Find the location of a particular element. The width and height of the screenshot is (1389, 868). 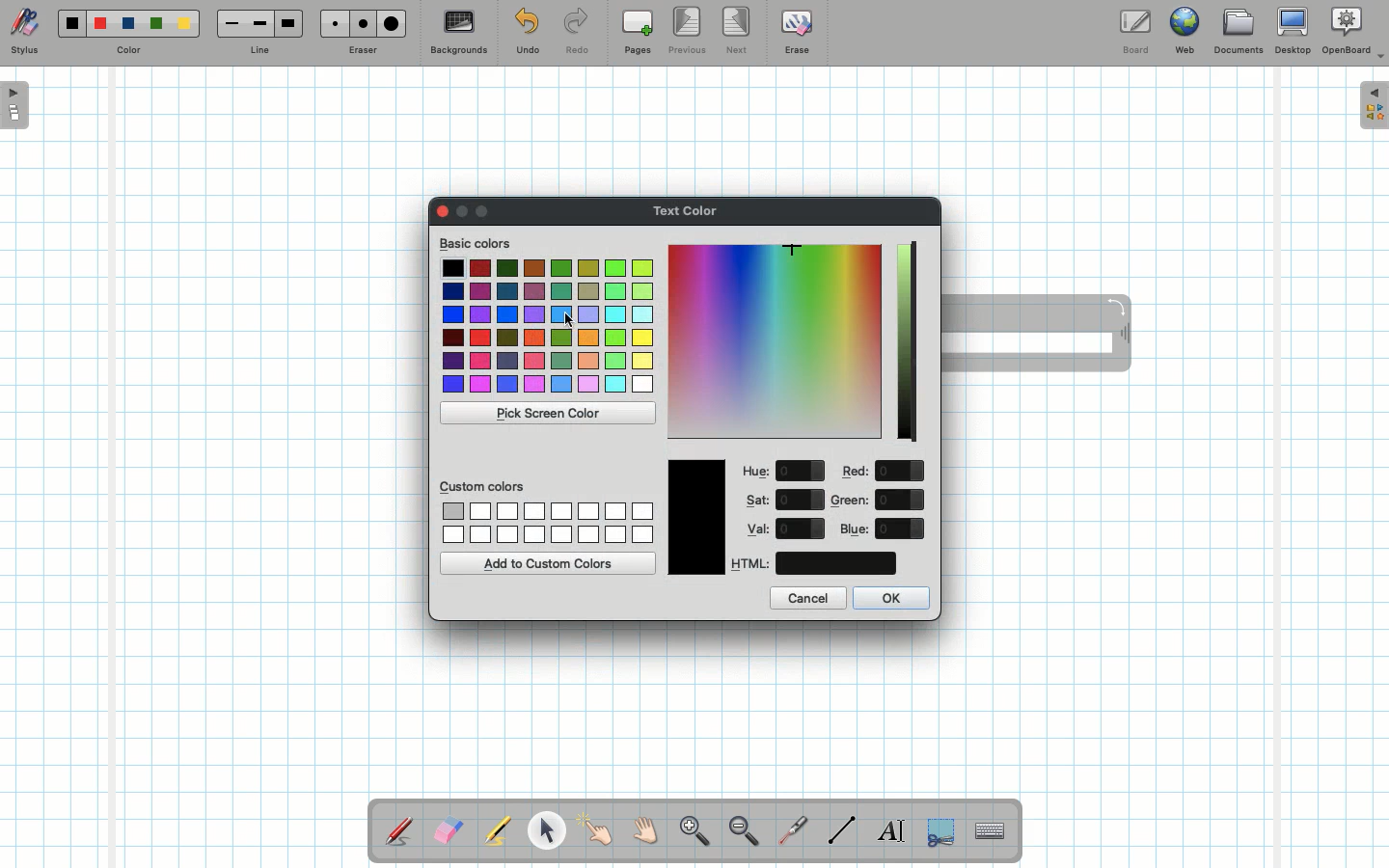

Undo is located at coordinates (527, 35).